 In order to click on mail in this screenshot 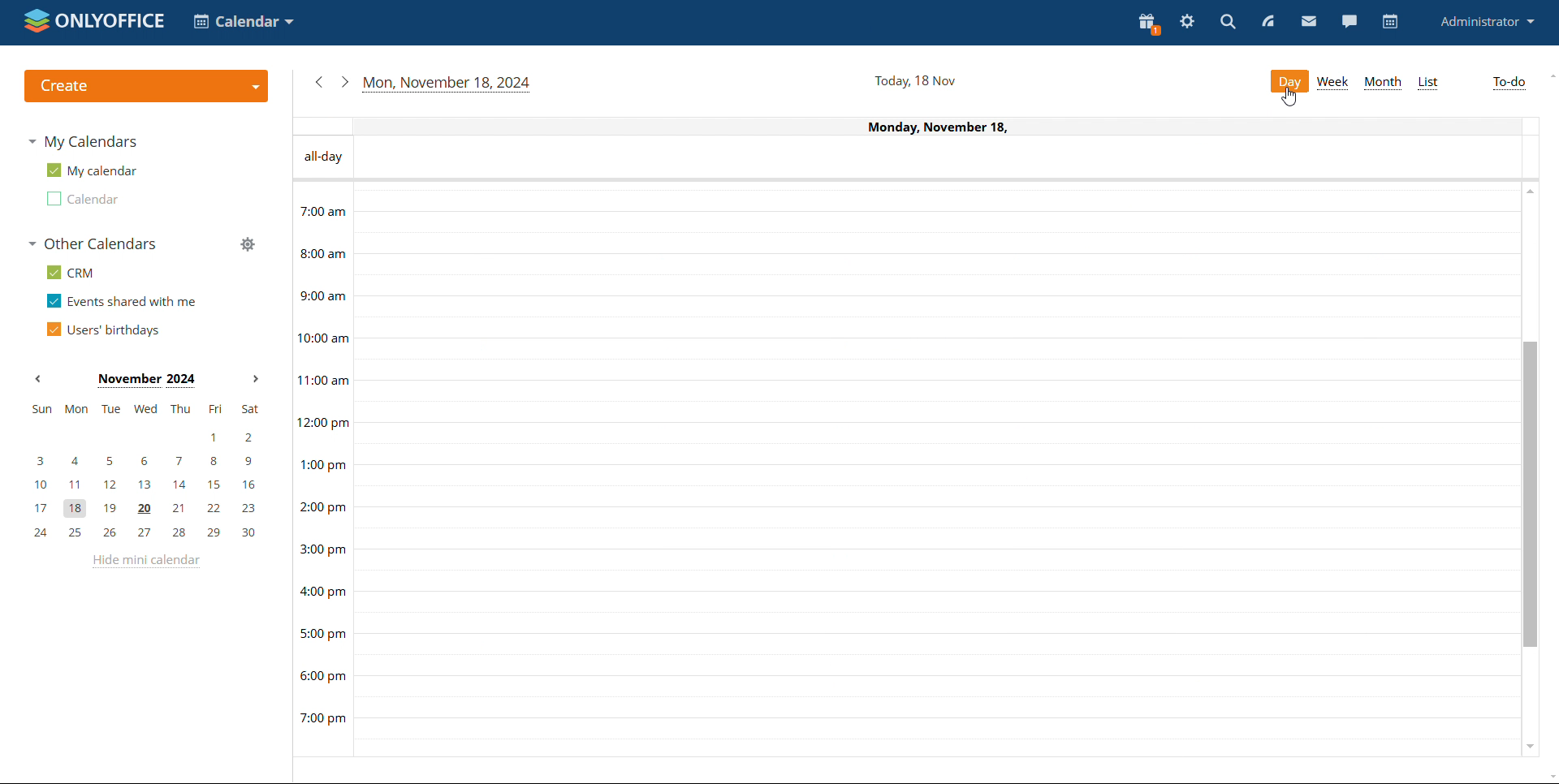, I will do `click(1308, 22)`.